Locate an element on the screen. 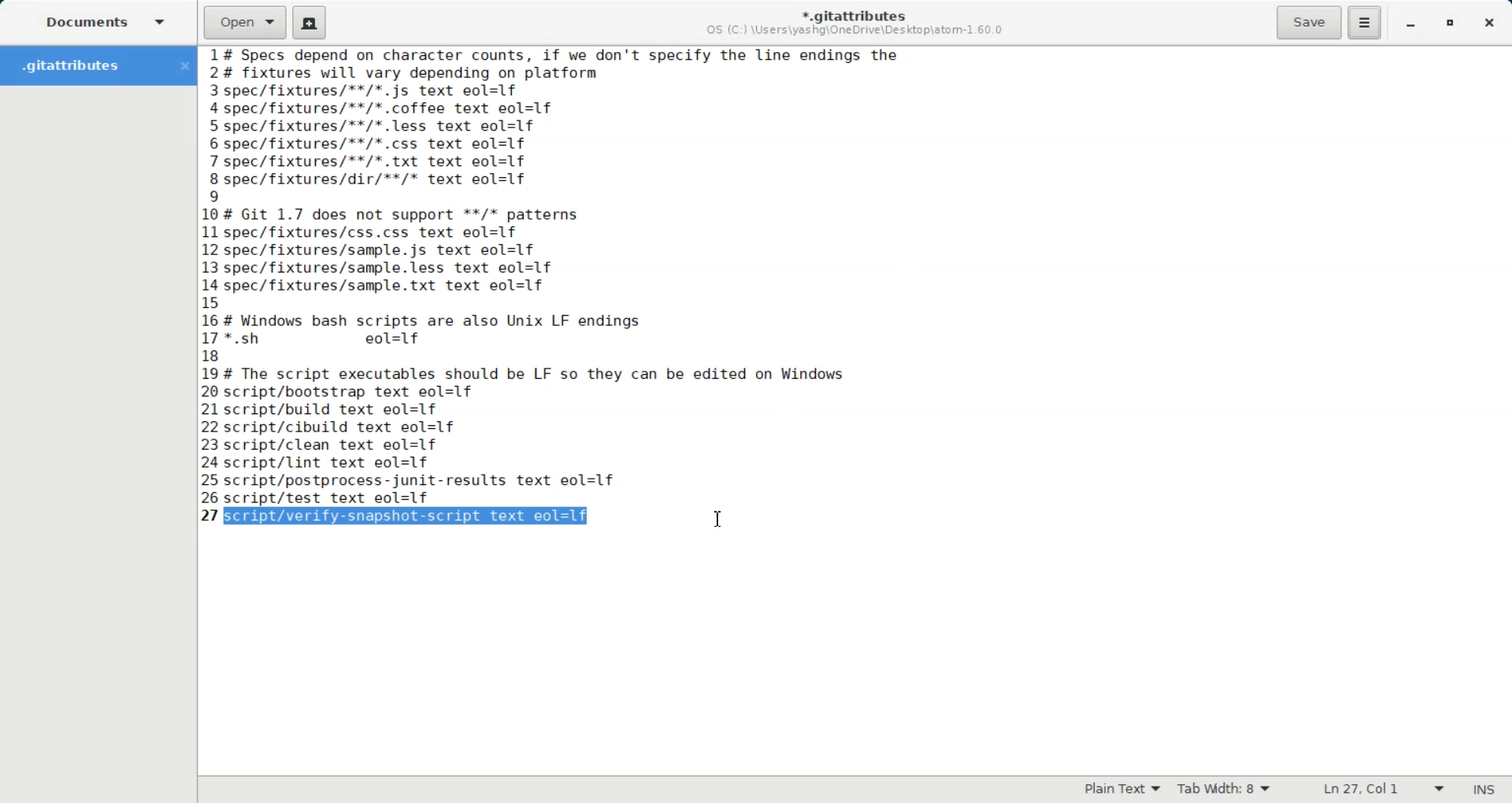 This screenshot has width=1512, height=803. text line number is located at coordinates (213, 275).